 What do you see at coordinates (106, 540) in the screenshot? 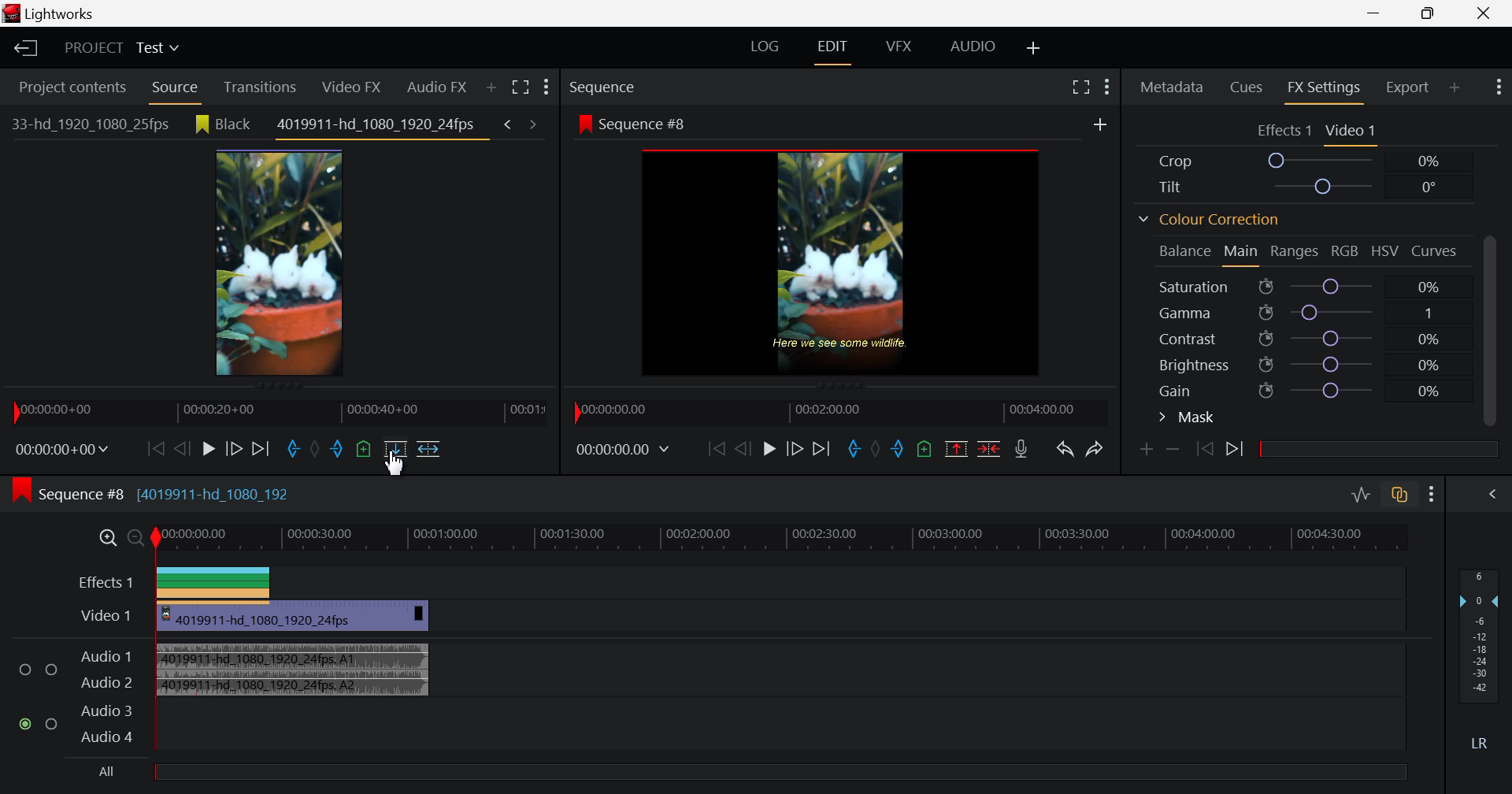
I see `Timeline Zoom In` at bounding box center [106, 540].